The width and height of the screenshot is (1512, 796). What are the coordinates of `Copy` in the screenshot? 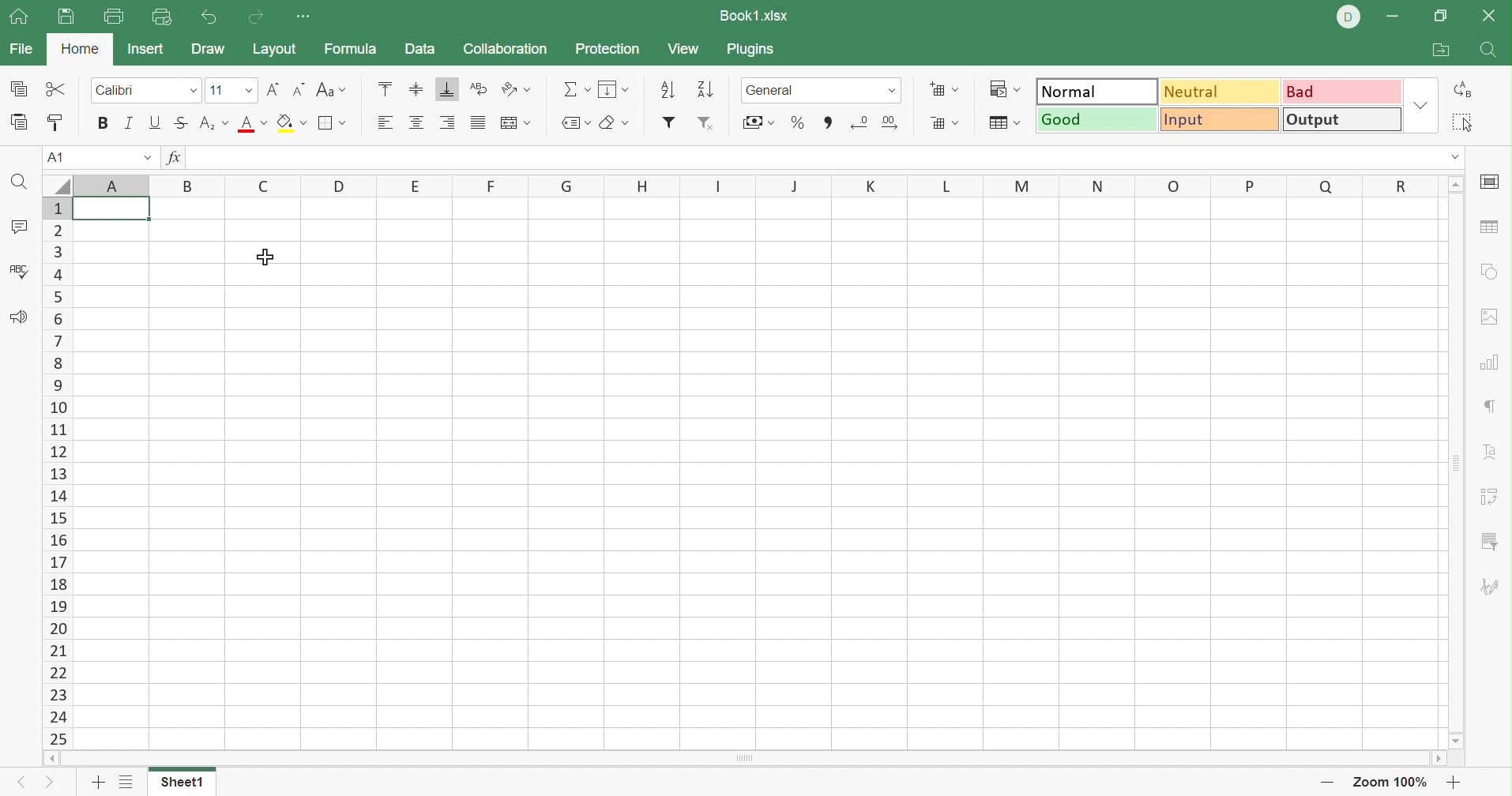 It's located at (20, 88).